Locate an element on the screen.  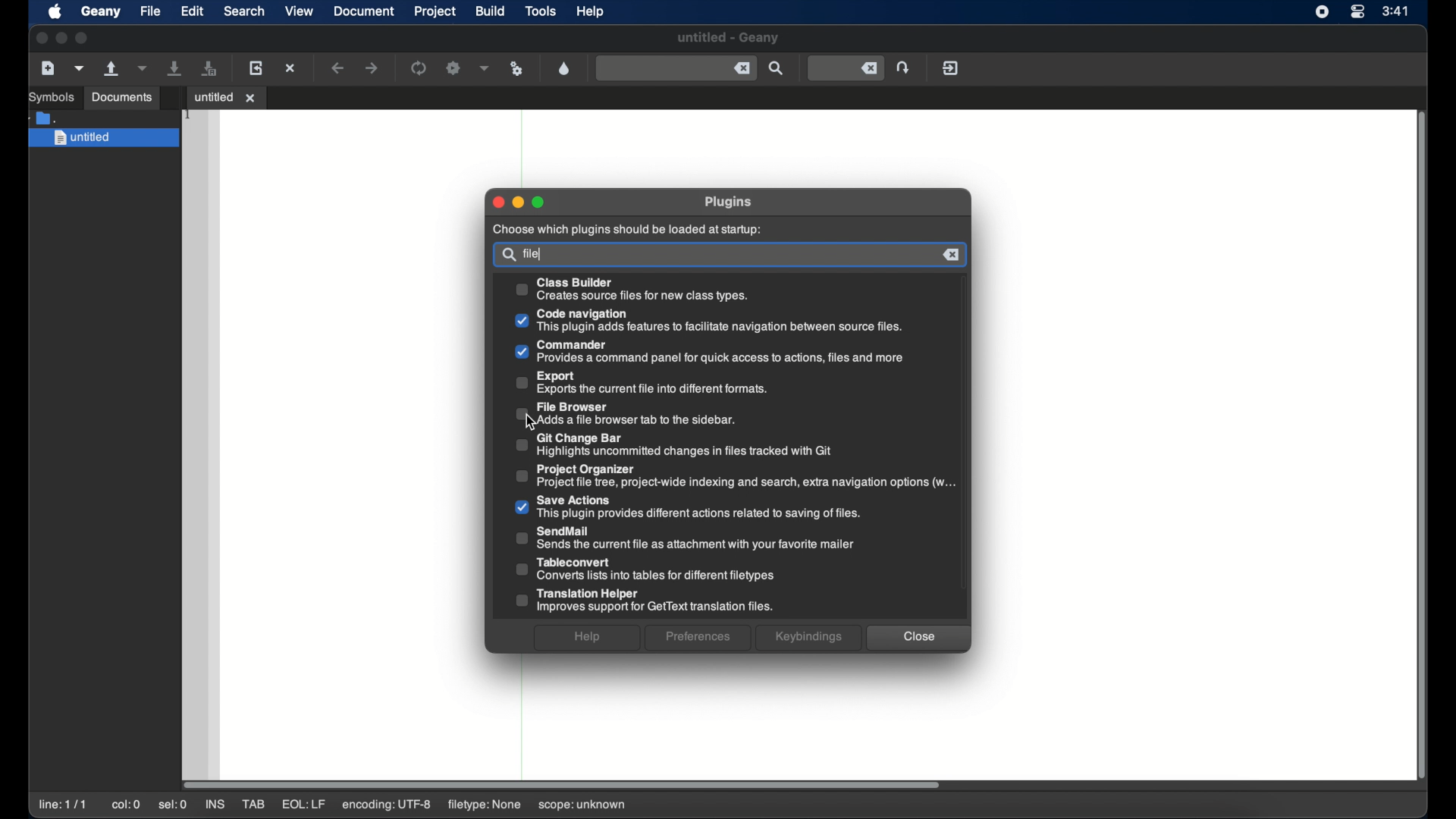
scroll box is located at coordinates (564, 783).